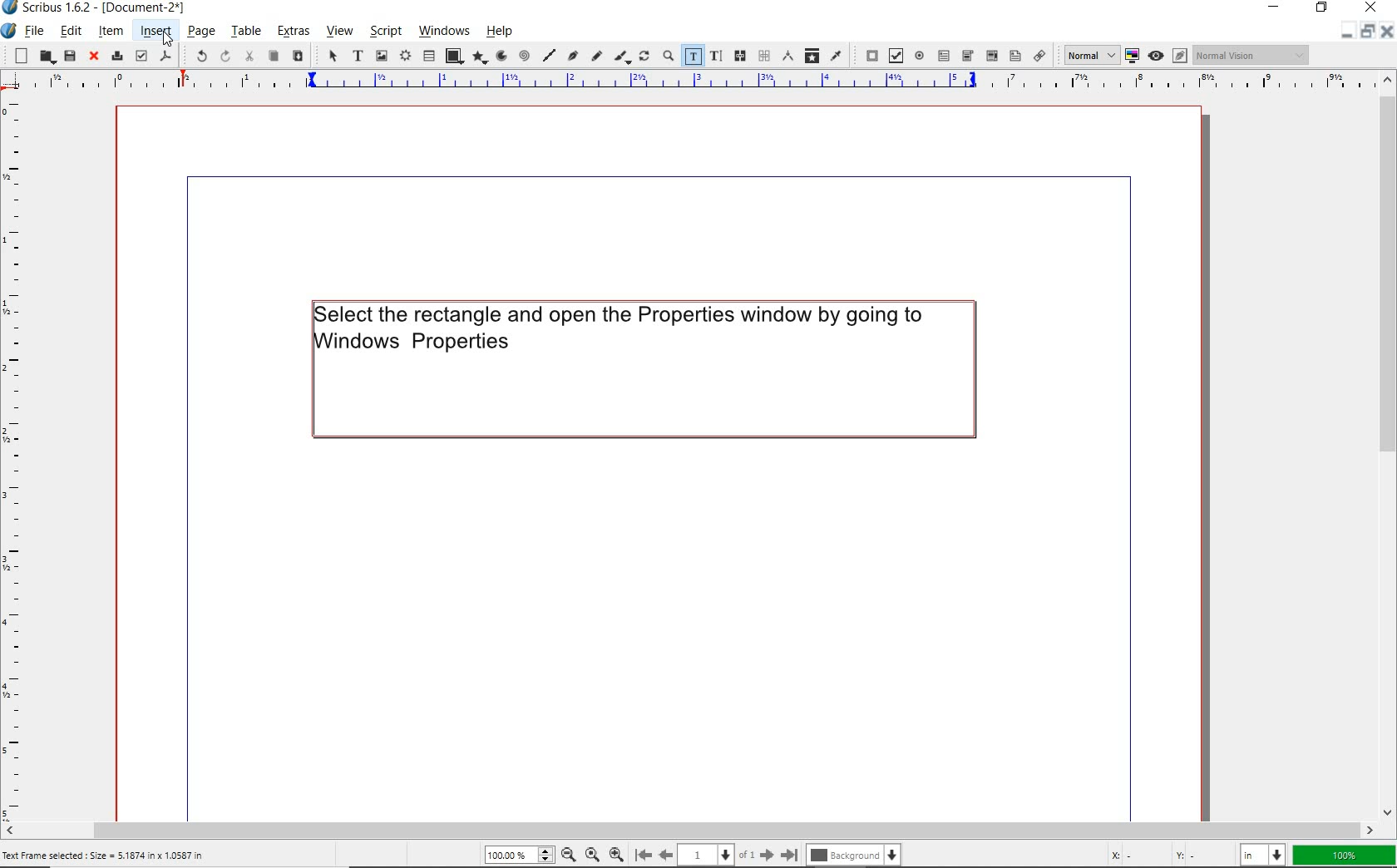 This screenshot has width=1397, height=868. I want to click on zoom out, so click(568, 854).